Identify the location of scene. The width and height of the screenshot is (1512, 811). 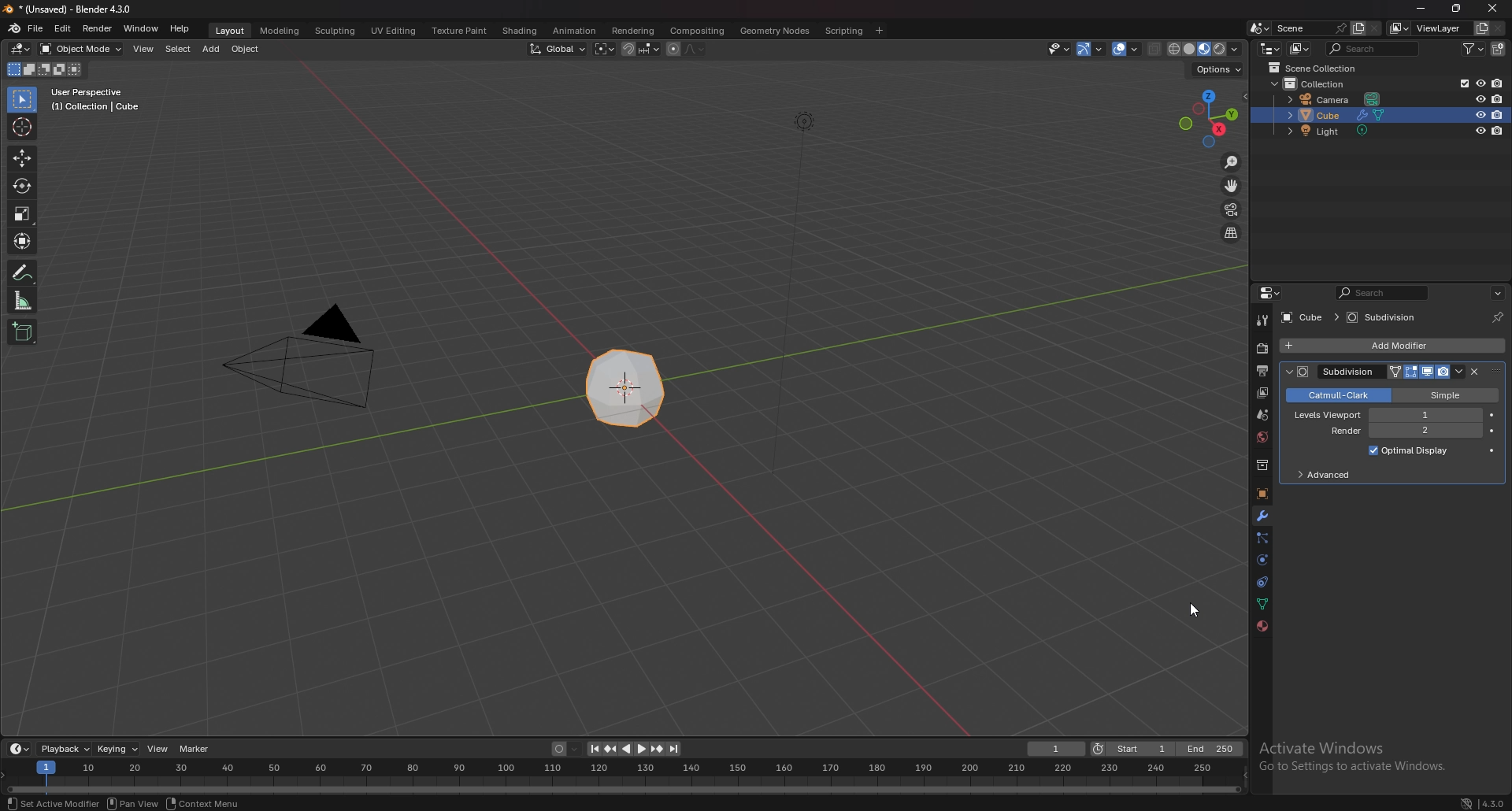
(1262, 413).